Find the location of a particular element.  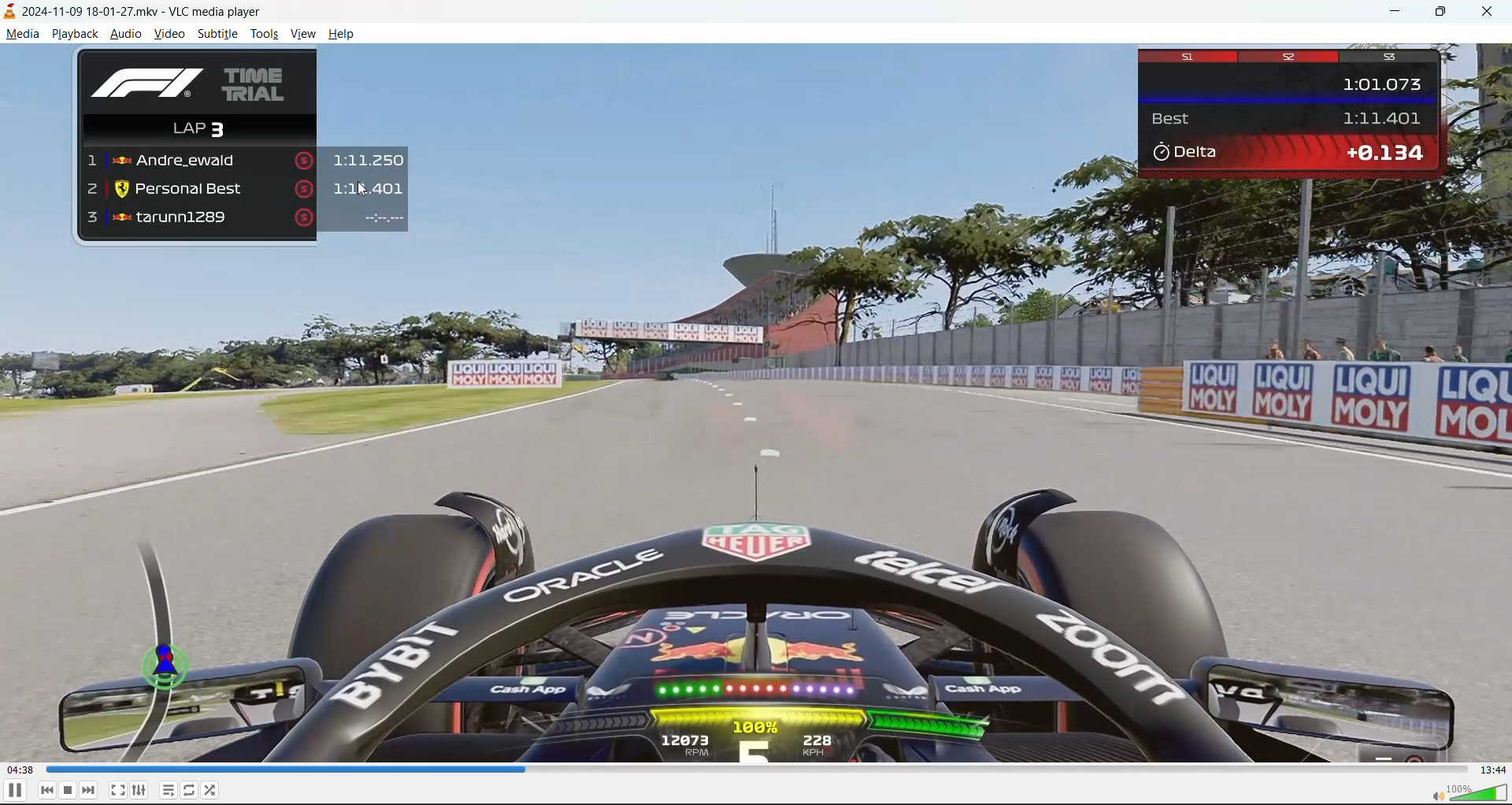

track slider is located at coordinates (759, 770).